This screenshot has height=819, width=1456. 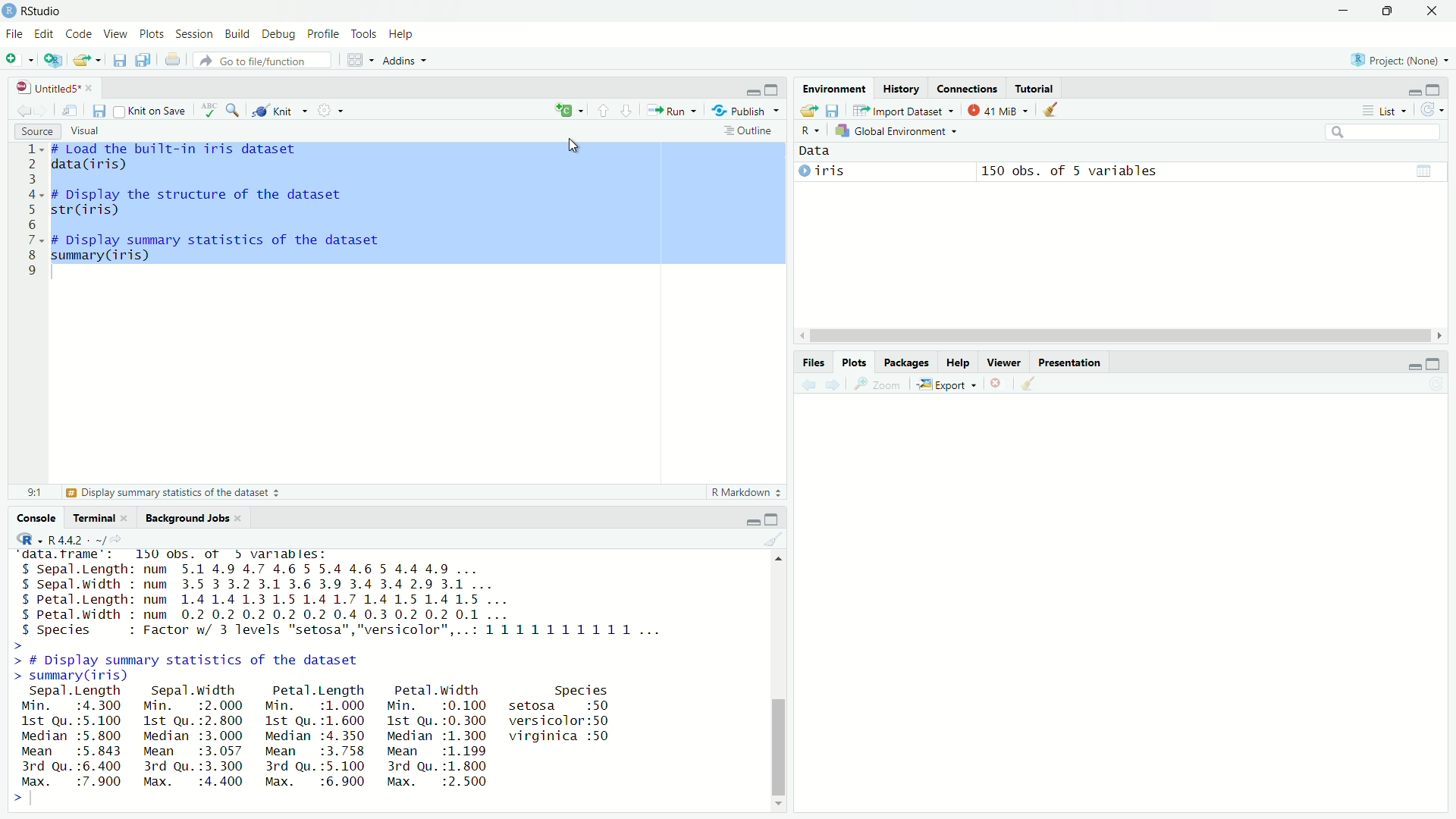 I want to click on Hide, so click(x=751, y=92).